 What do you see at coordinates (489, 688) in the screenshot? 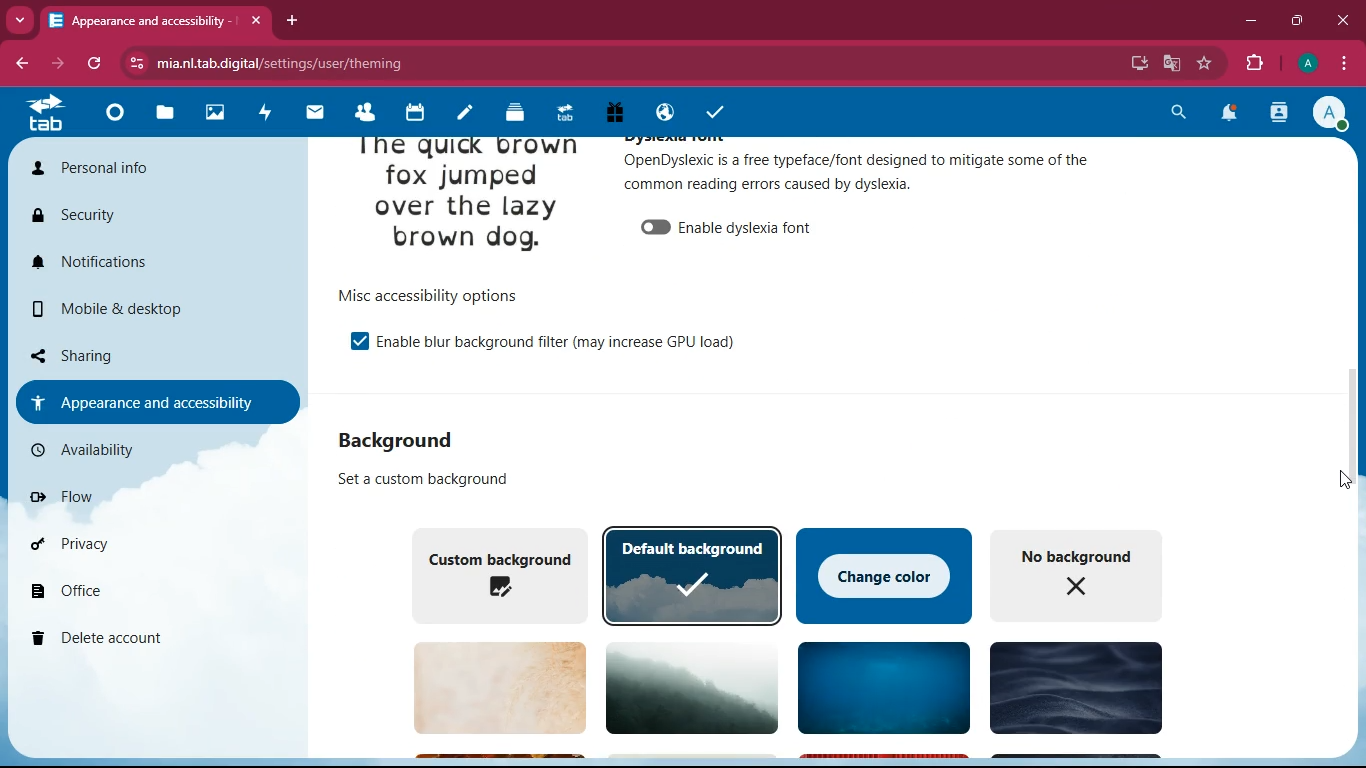
I see `background` at bounding box center [489, 688].